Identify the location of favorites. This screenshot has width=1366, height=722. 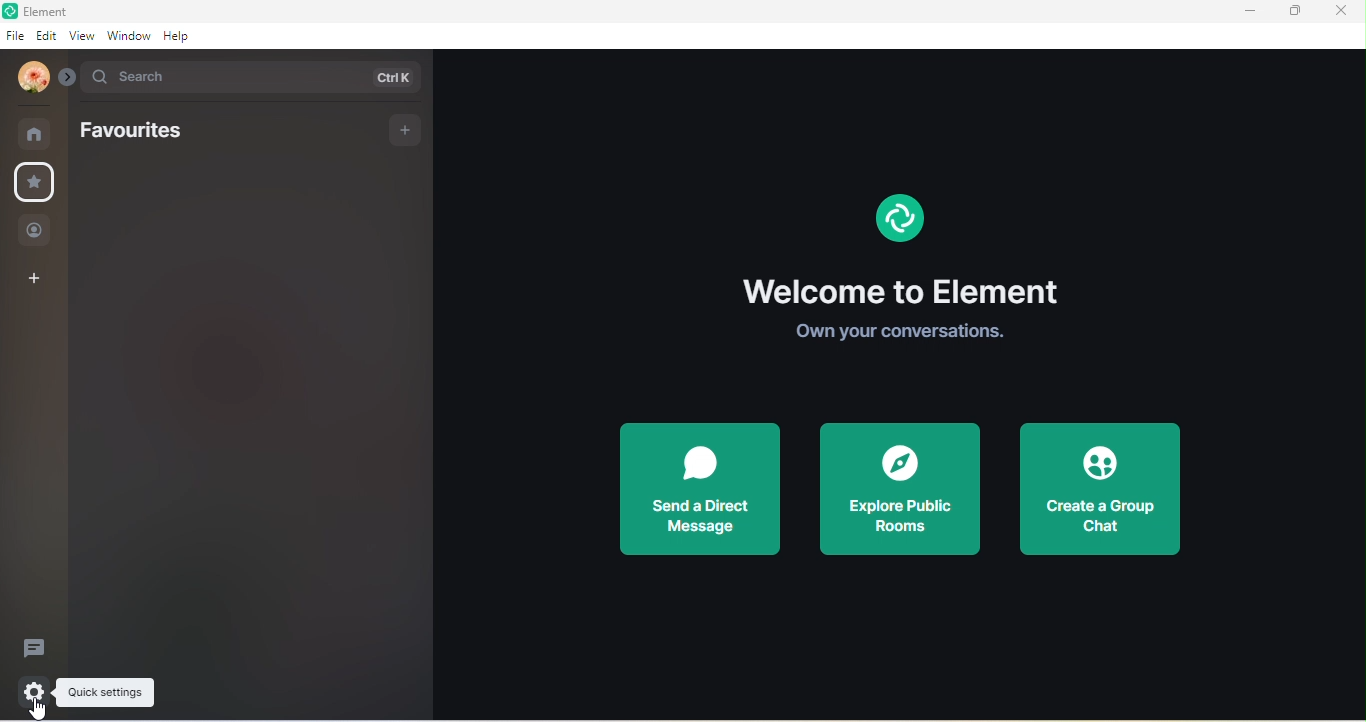
(155, 131).